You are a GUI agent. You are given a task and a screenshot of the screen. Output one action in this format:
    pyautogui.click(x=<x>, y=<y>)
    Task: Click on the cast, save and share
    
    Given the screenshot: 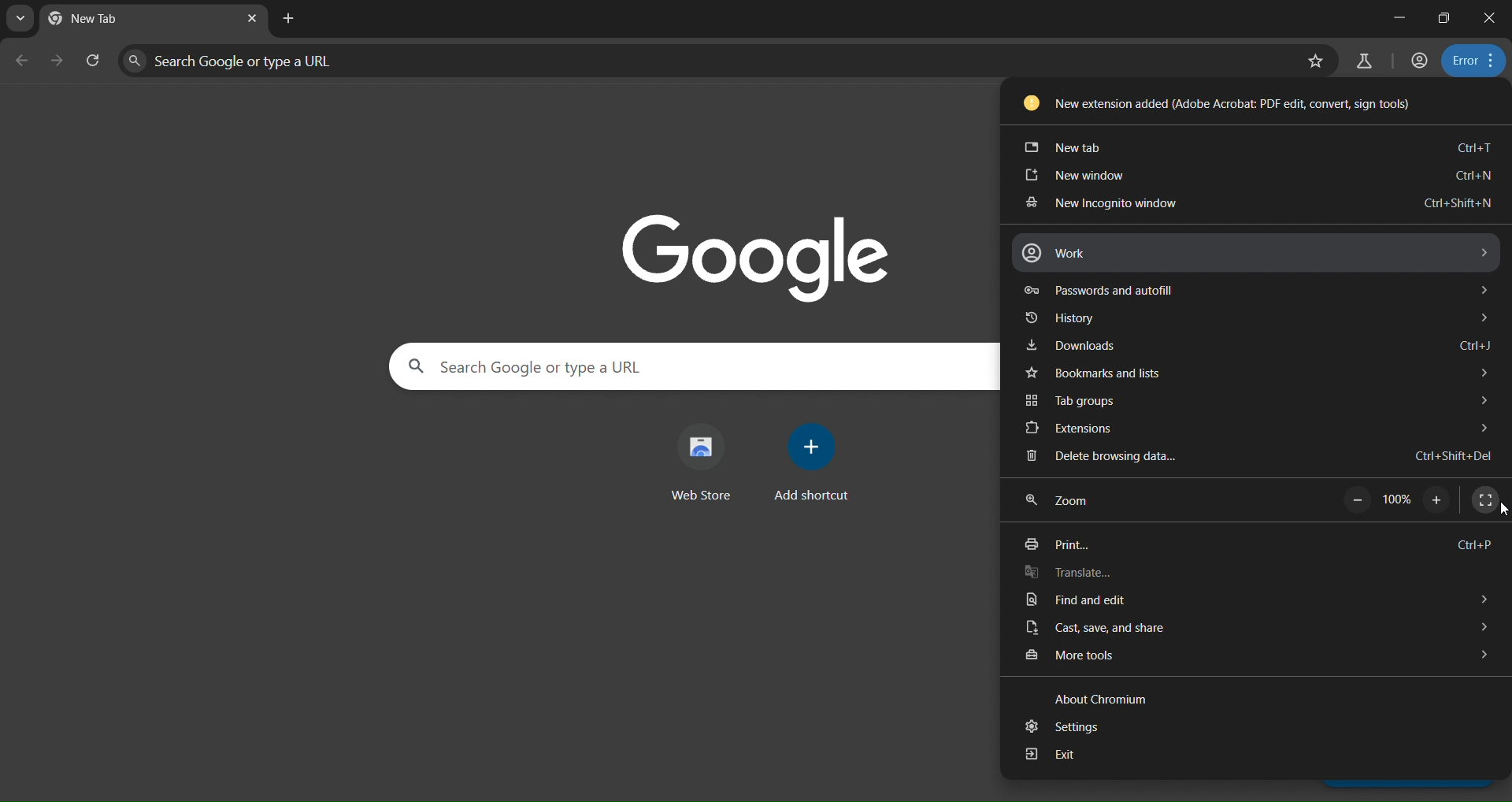 What is the action you would take?
    pyautogui.click(x=1247, y=629)
    